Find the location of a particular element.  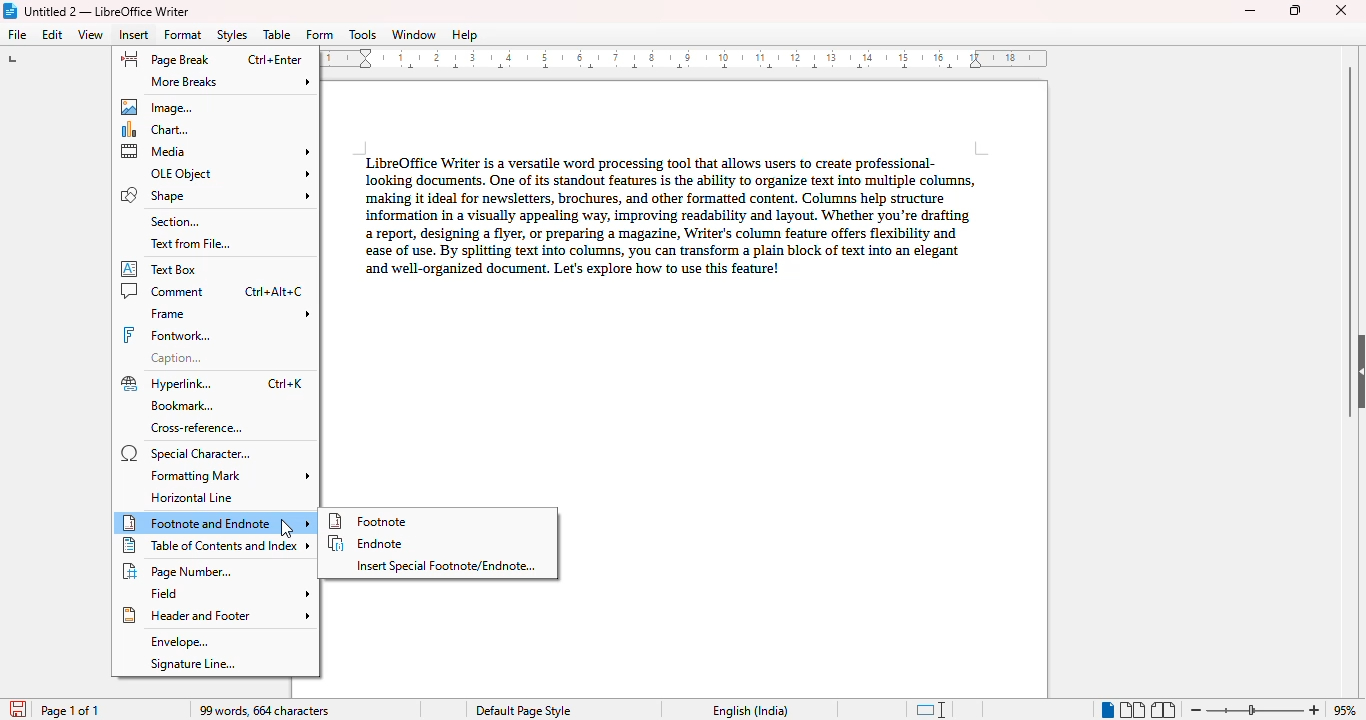

Save document is located at coordinates (16, 705).